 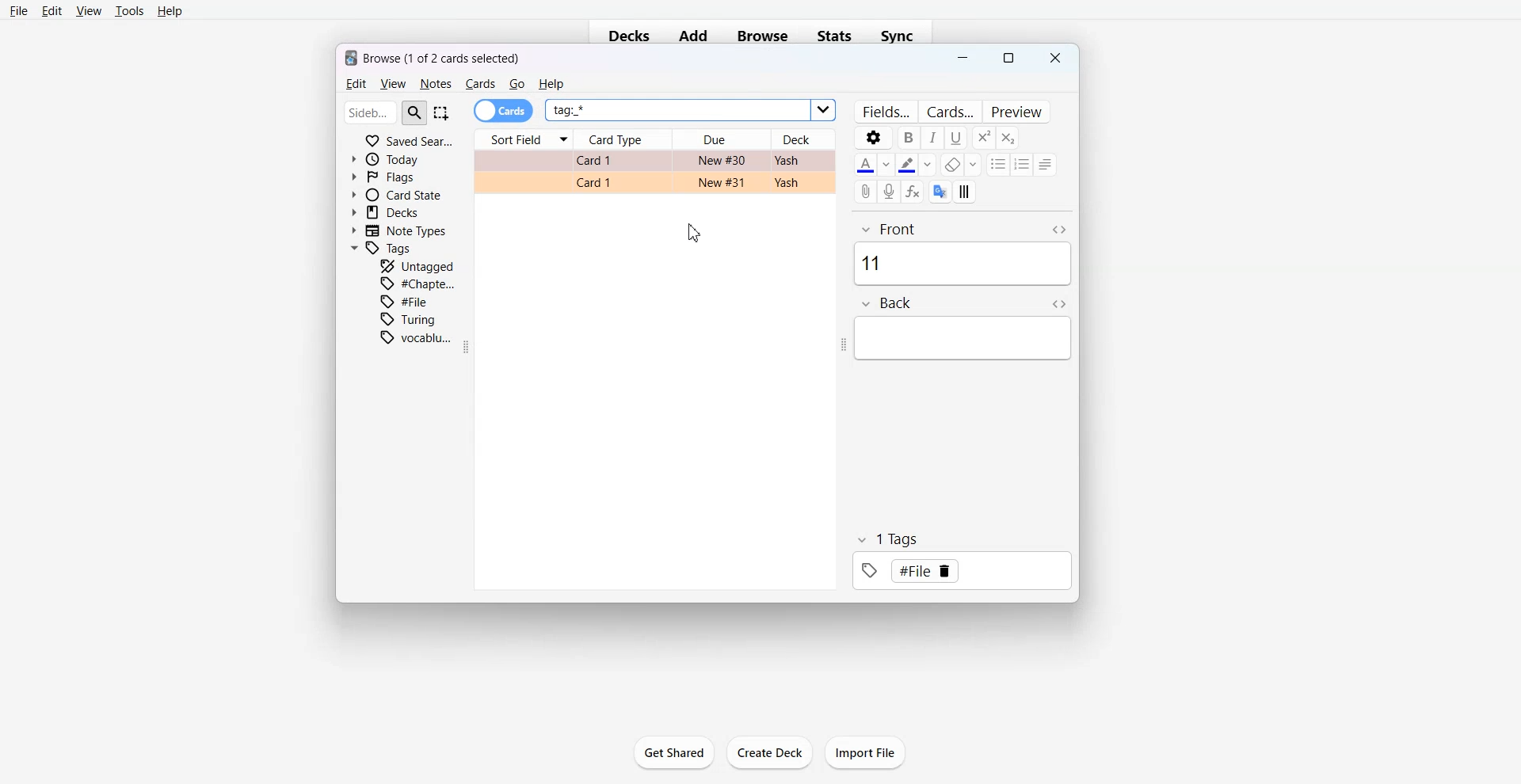 What do you see at coordinates (383, 176) in the screenshot?
I see `Flags` at bounding box center [383, 176].